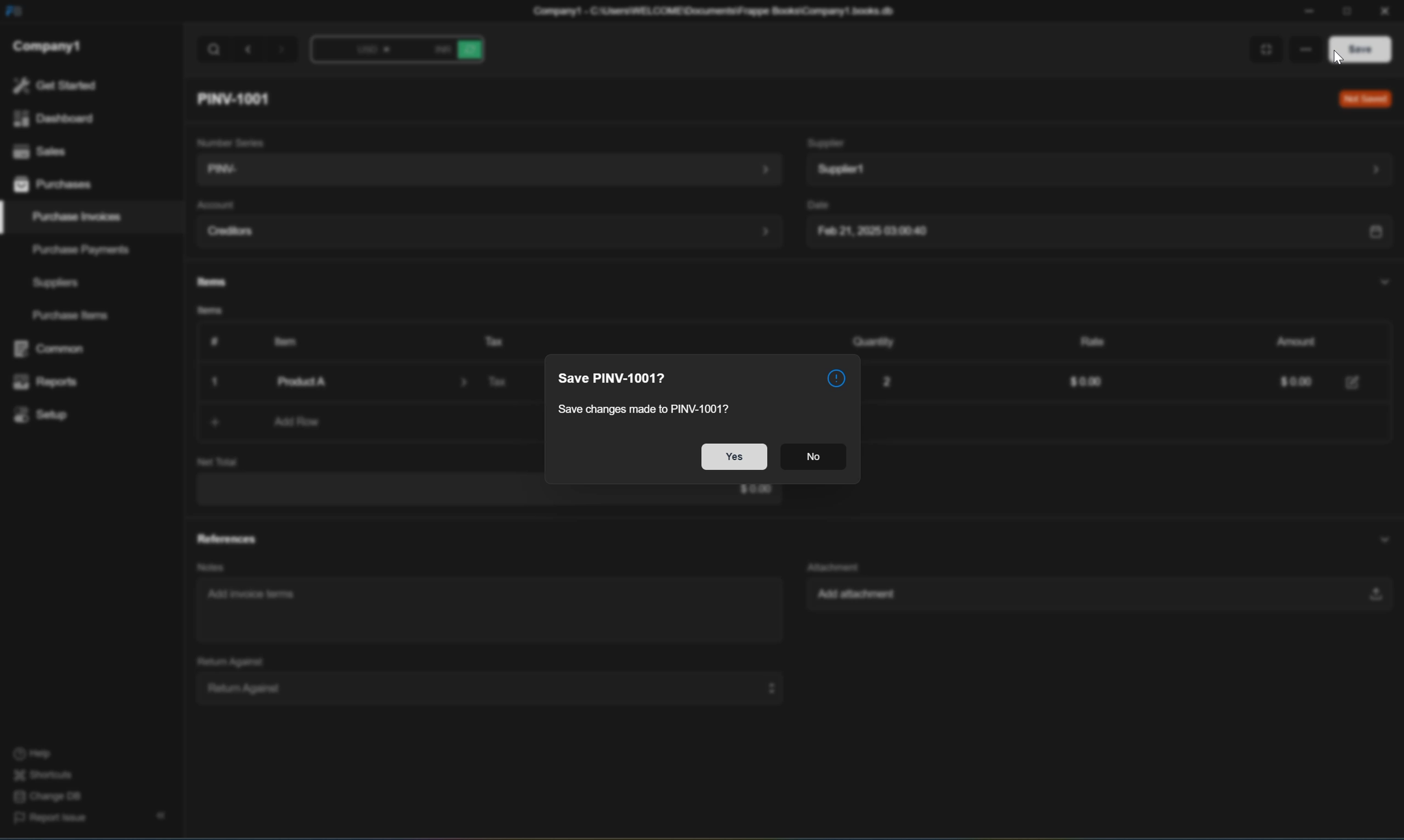 Image resolution: width=1404 pixels, height=840 pixels. What do you see at coordinates (250, 49) in the screenshot?
I see `Back` at bounding box center [250, 49].